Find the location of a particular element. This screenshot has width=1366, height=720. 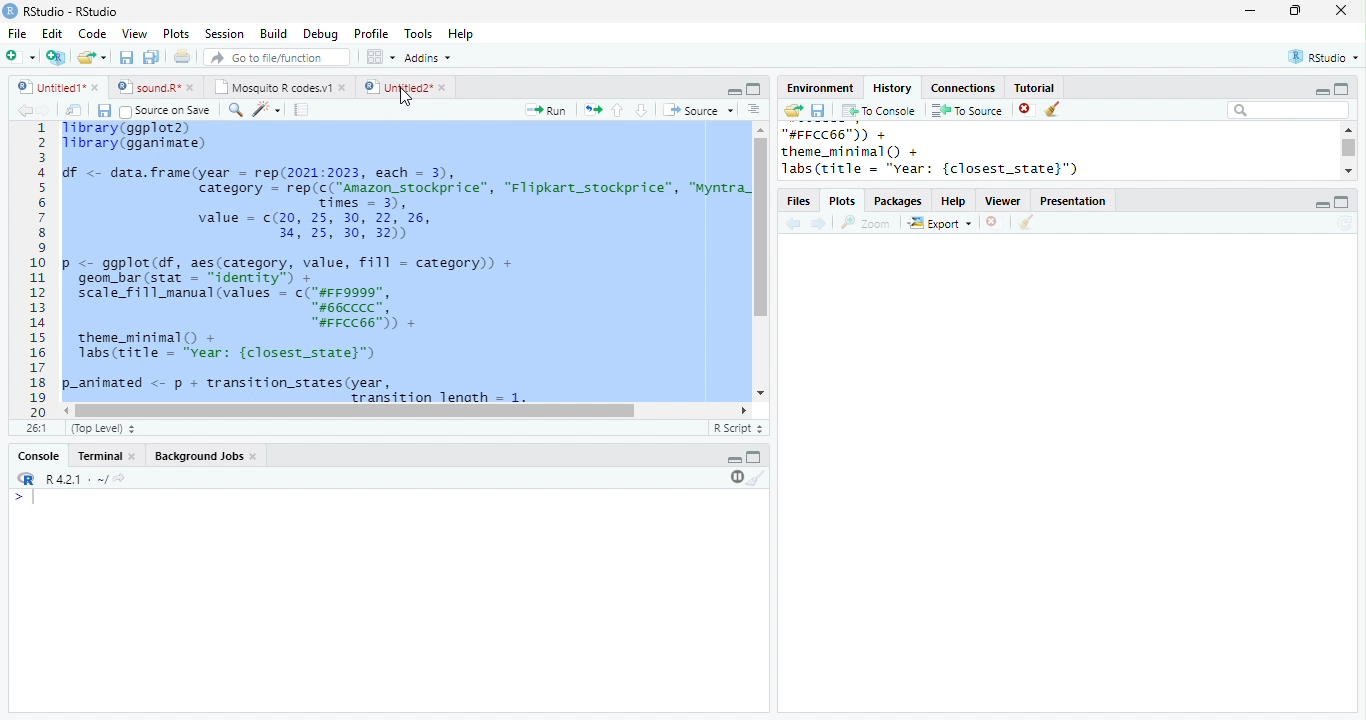

Export is located at coordinates (939, 222).